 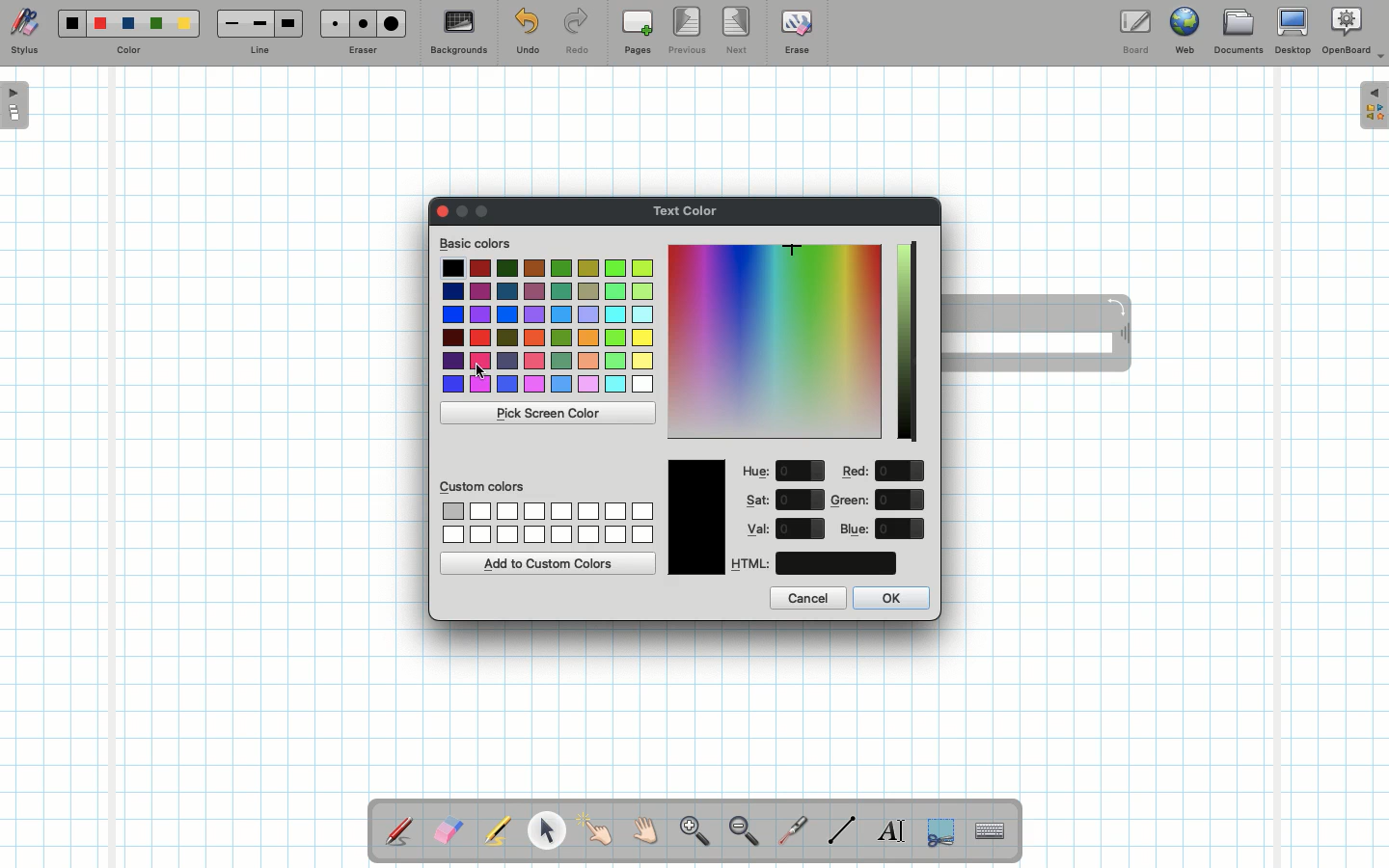 I want to click on Redo, so click(x=577, y=35).